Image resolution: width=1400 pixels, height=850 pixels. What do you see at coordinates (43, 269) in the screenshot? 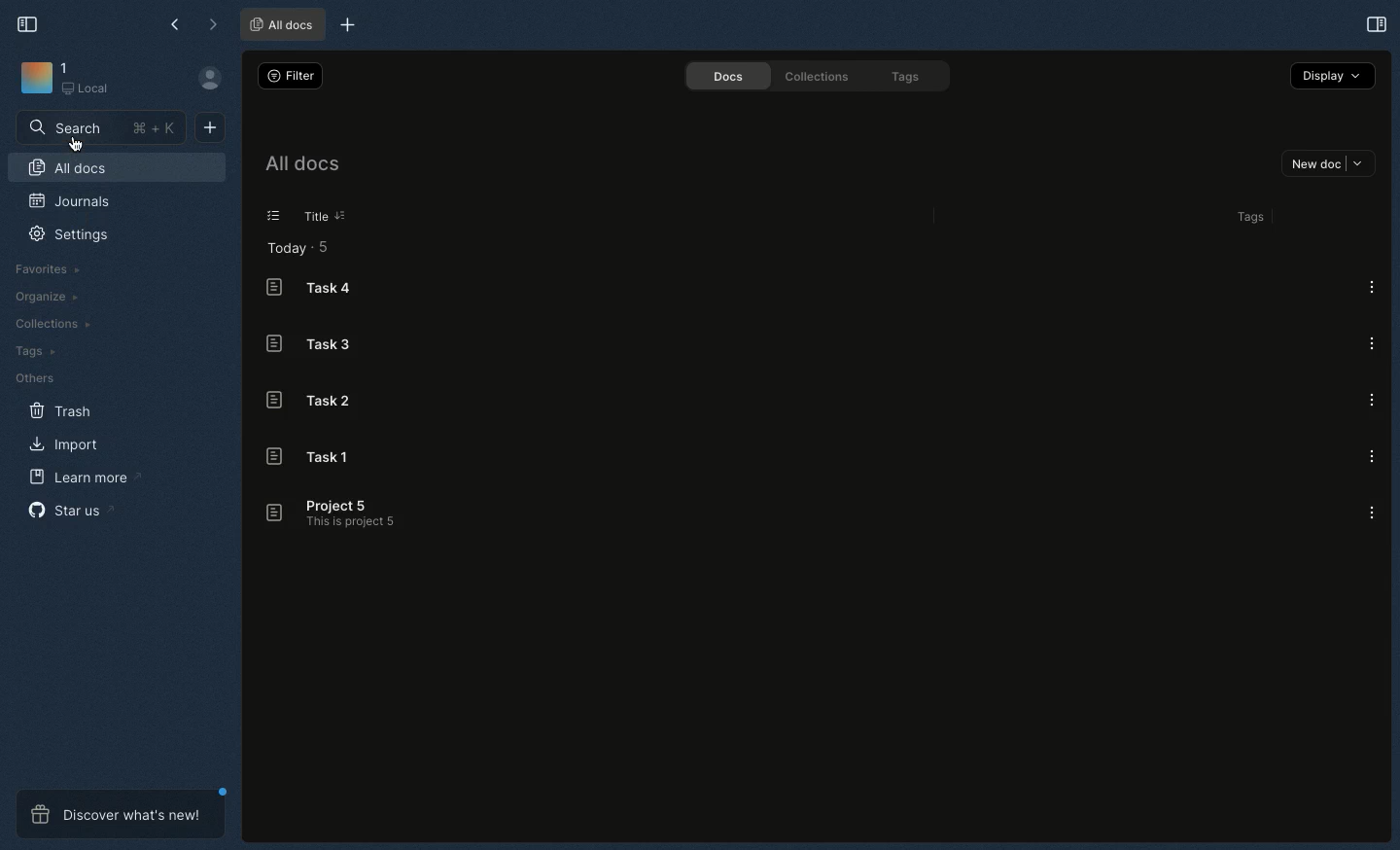
I see `Favorites` at bounding box center [43, 269].